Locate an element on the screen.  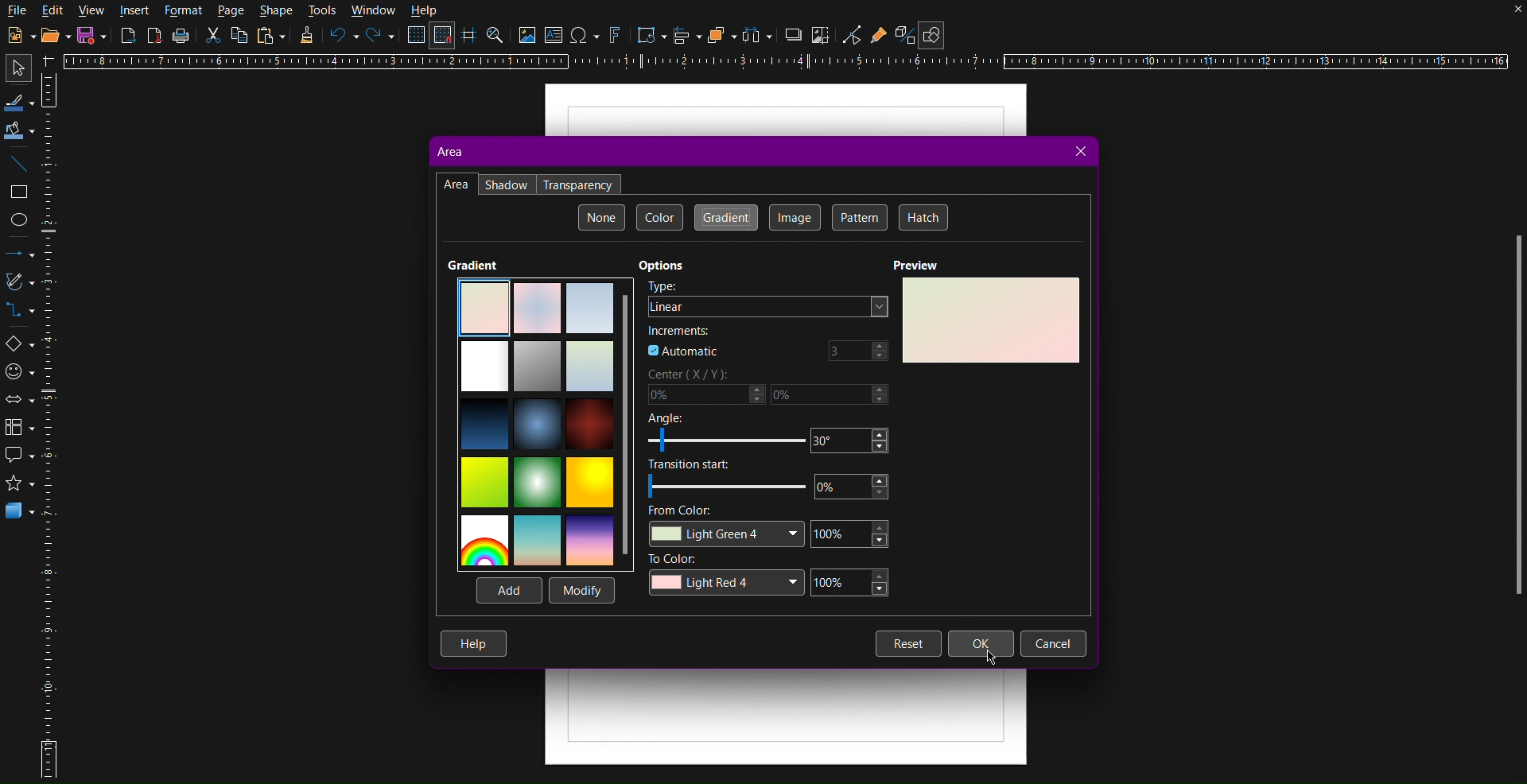
Gradient (selected) is located at coordinates (725, 217).